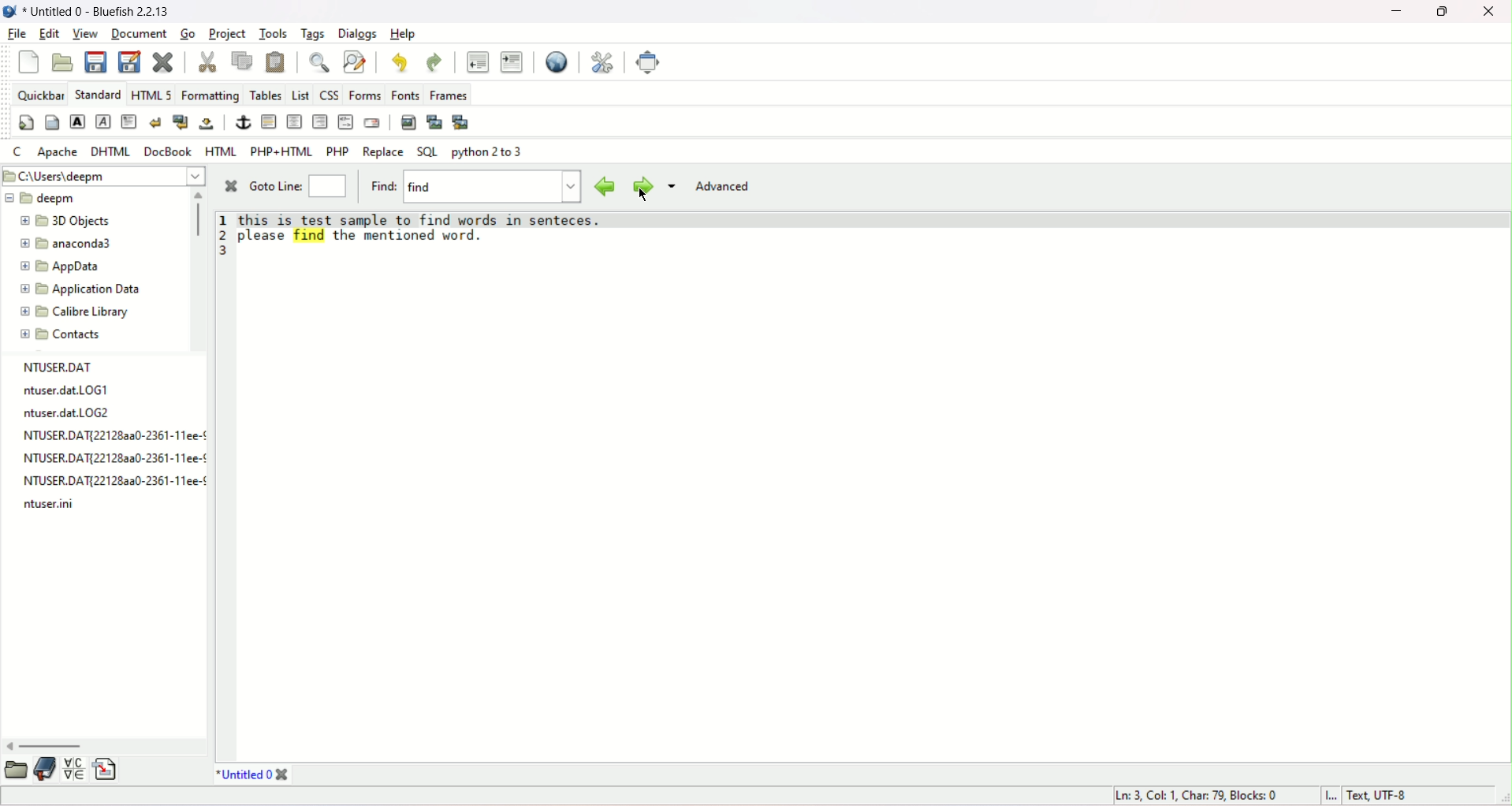 Image resolution: width=1512 pixels, height=806 pixels. I want to click on help, so click(403, 35).